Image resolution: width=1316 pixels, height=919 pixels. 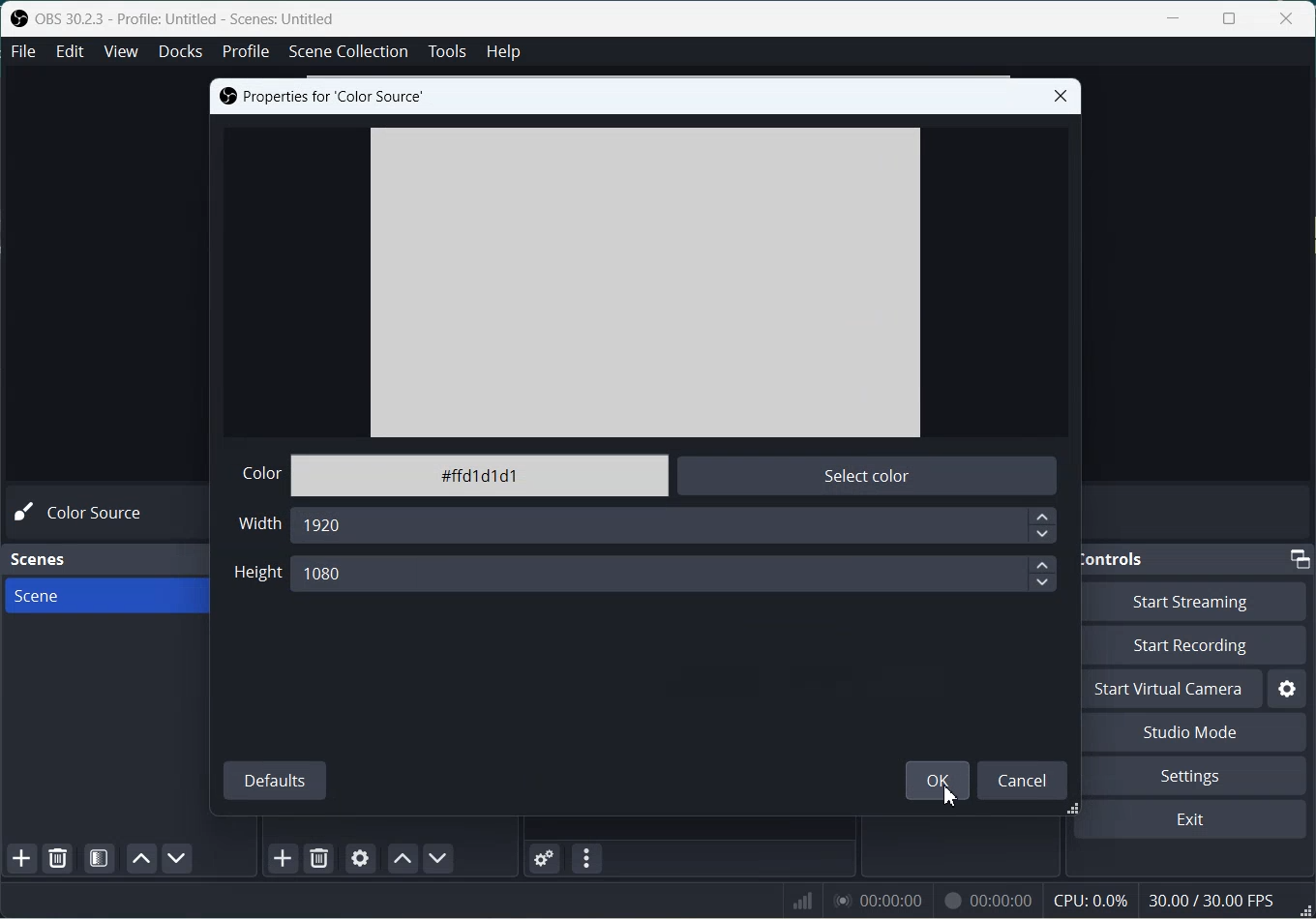 I want to click on Tools, so click(x=448, y=51).